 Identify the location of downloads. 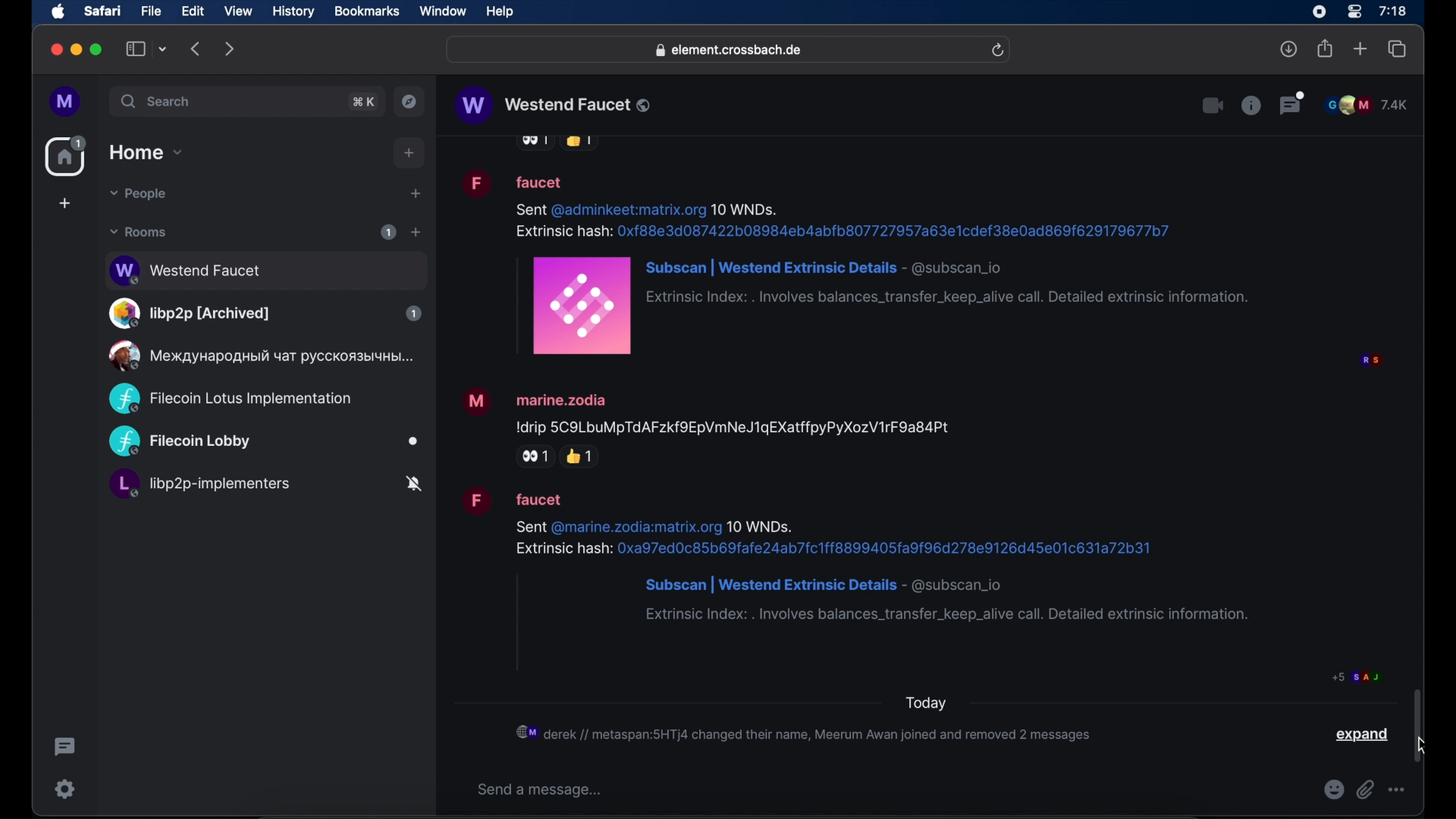
(1289, 49).